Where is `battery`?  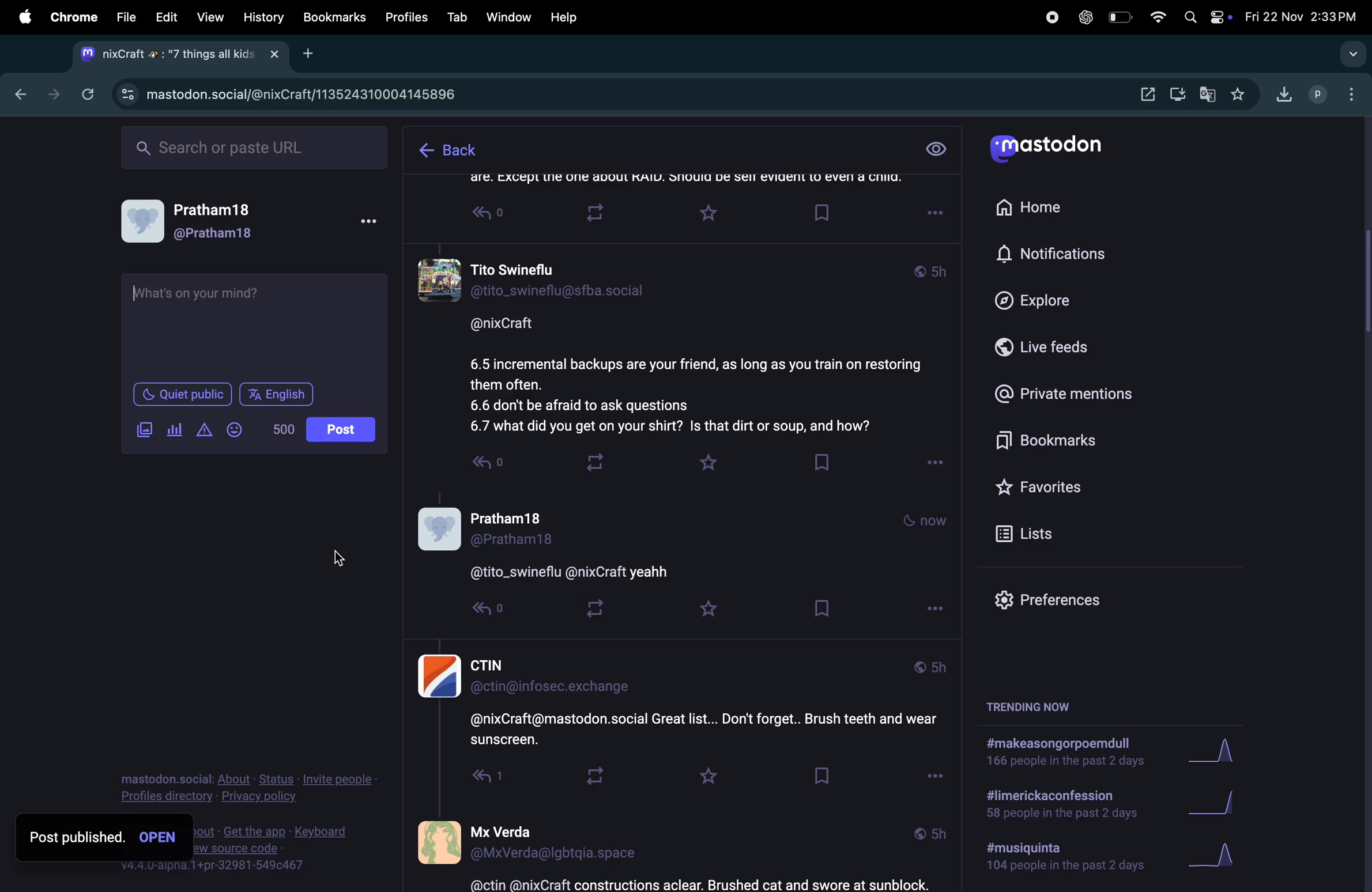 battery is located at coordinates (1122, 17).